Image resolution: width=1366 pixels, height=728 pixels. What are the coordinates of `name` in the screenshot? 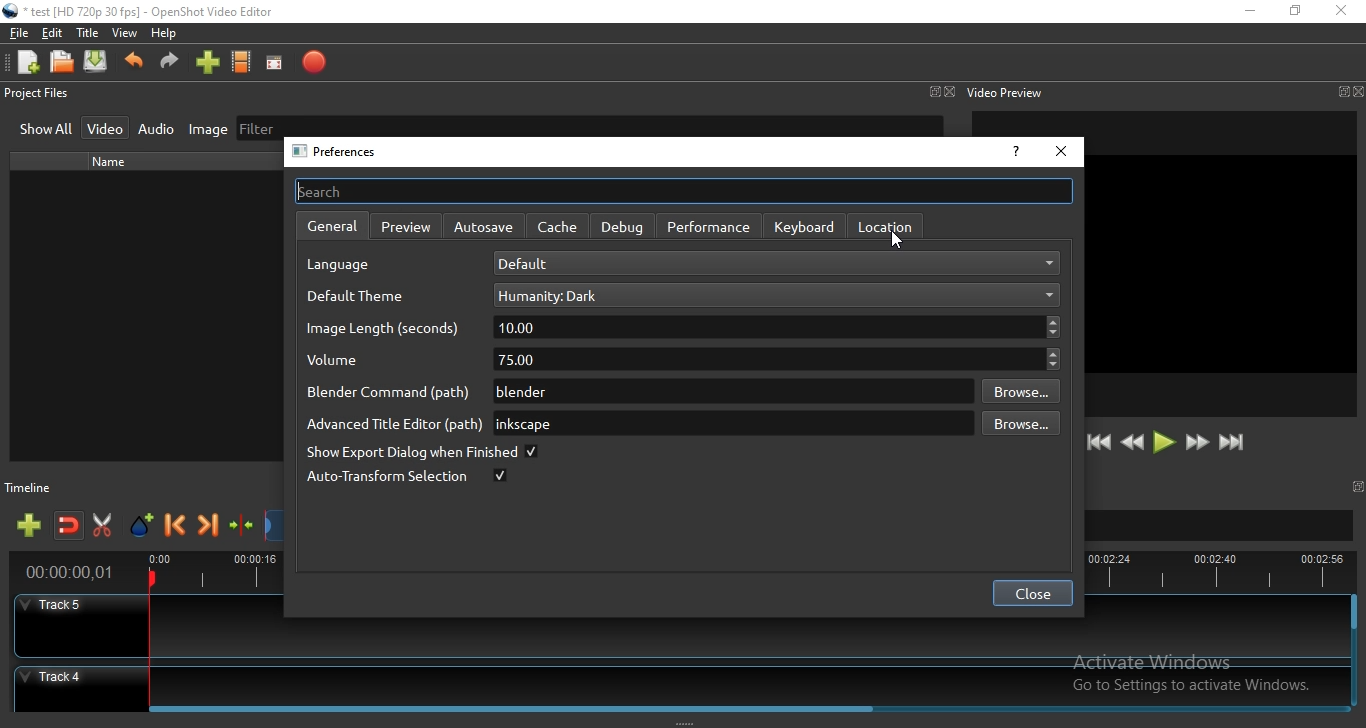 It's located at (116, 162).